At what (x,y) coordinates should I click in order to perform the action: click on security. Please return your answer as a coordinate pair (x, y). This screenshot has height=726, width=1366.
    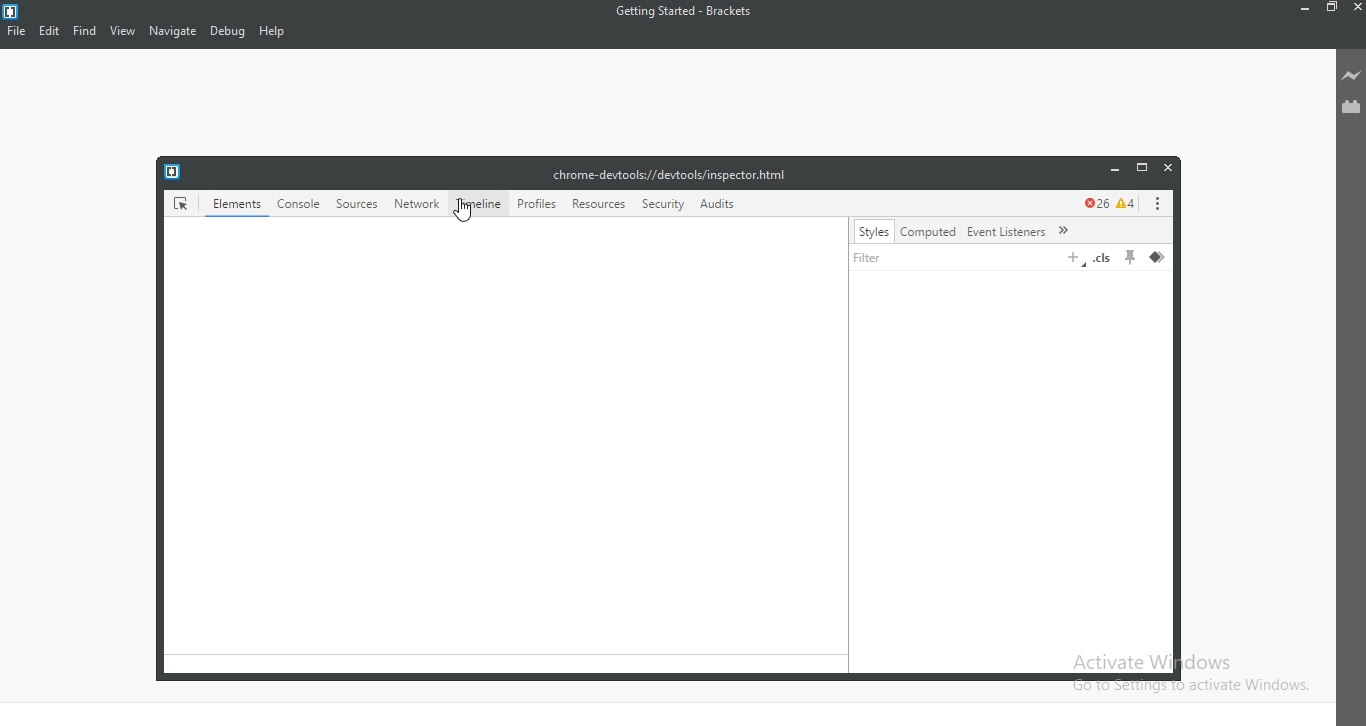
    Looking at the image, I should click on (663, 203).